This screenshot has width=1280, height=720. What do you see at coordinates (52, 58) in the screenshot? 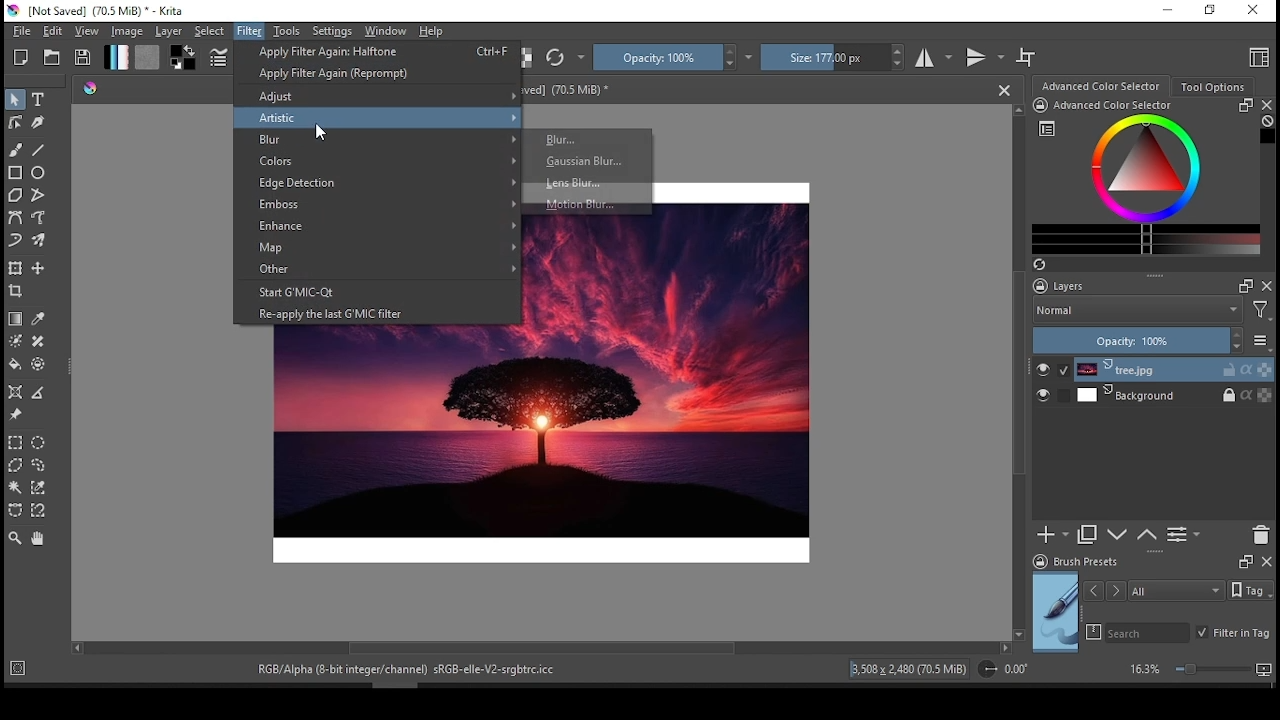
I see `open` at bounding box center [52, 58].